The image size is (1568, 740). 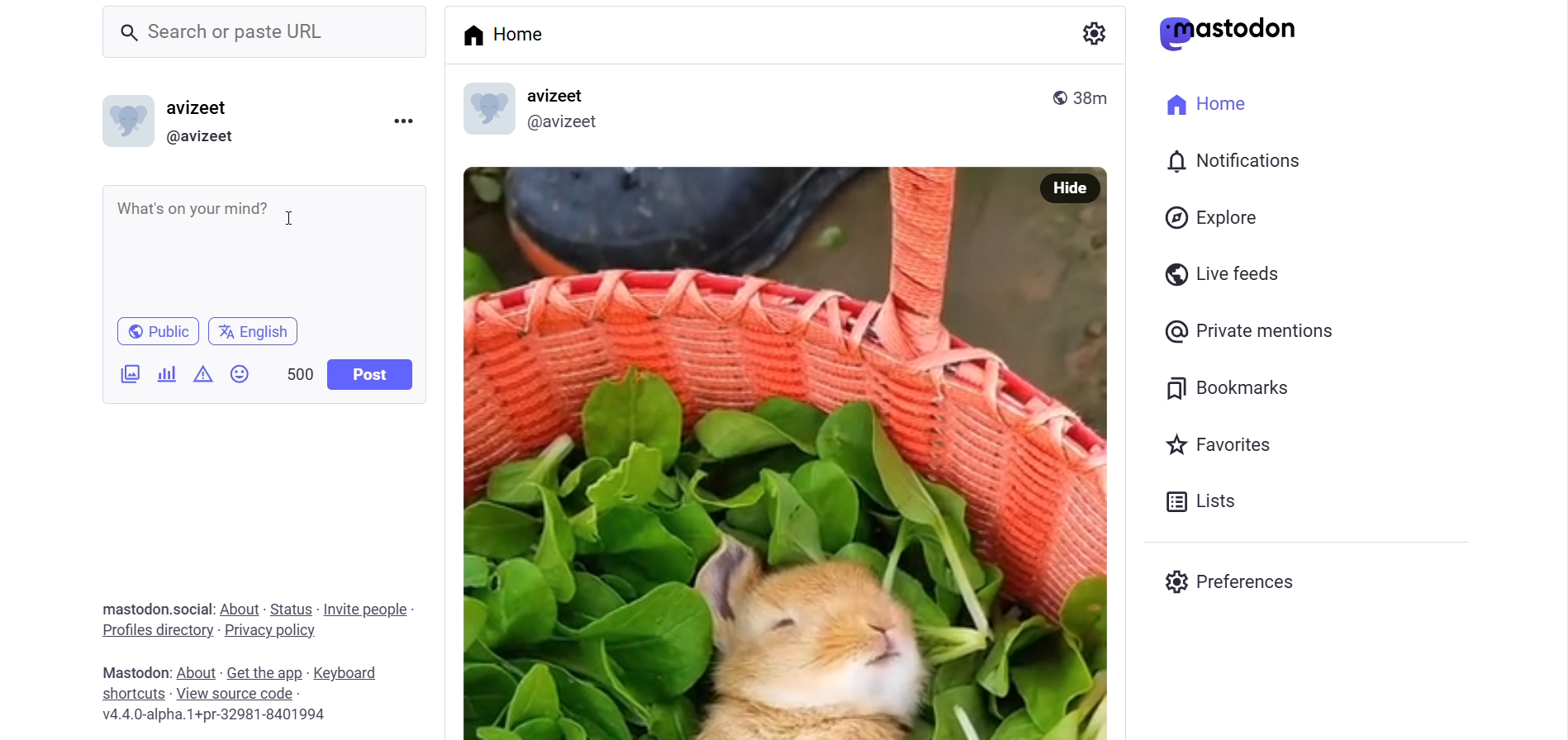 What do you see at coordinates (259, 330) in the screenshot?
I see `English` at bounding box center [259, 330].